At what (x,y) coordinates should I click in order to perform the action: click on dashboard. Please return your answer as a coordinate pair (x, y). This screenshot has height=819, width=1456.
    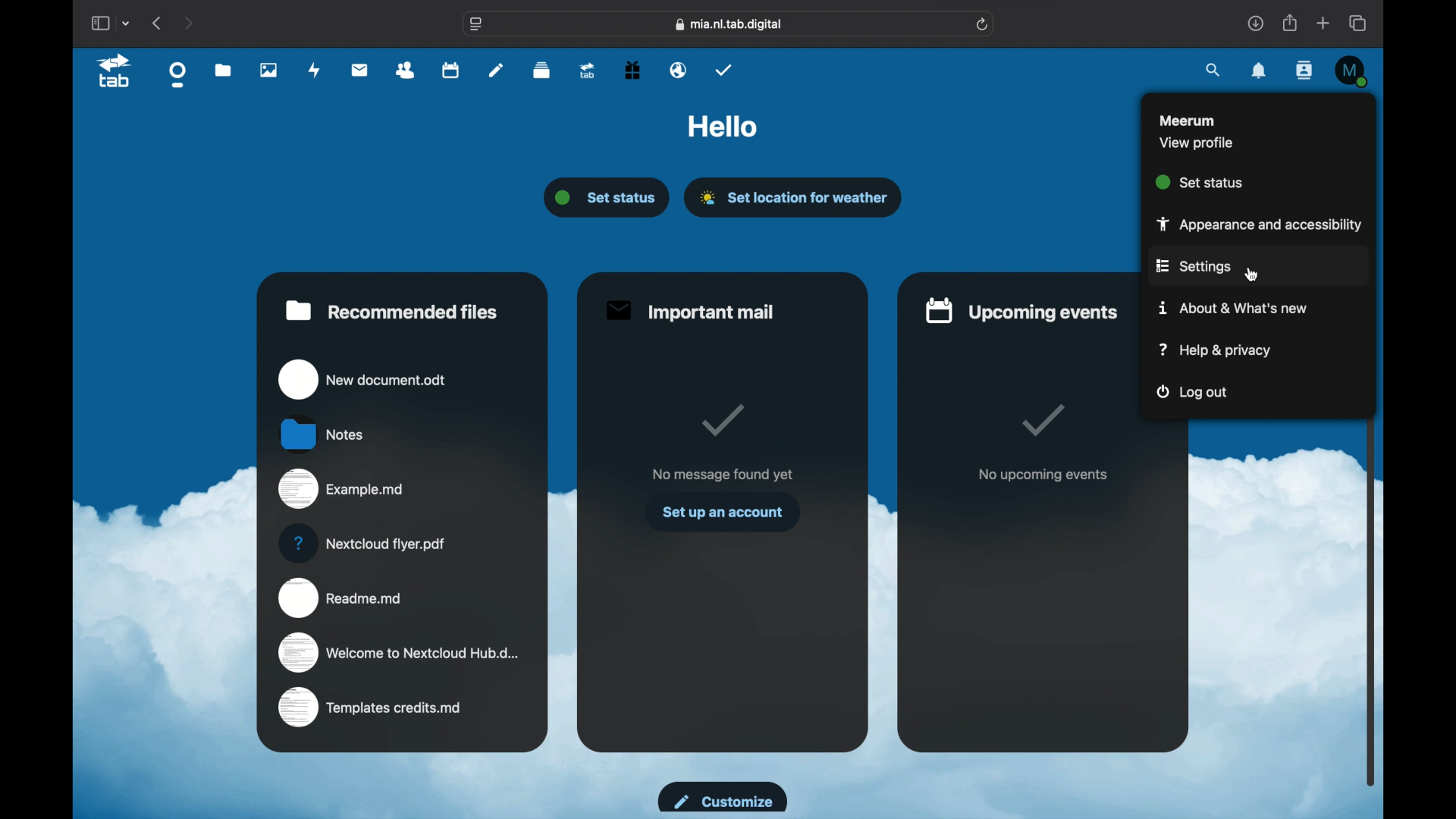
    Looking at the image, I should click on (178, 74).